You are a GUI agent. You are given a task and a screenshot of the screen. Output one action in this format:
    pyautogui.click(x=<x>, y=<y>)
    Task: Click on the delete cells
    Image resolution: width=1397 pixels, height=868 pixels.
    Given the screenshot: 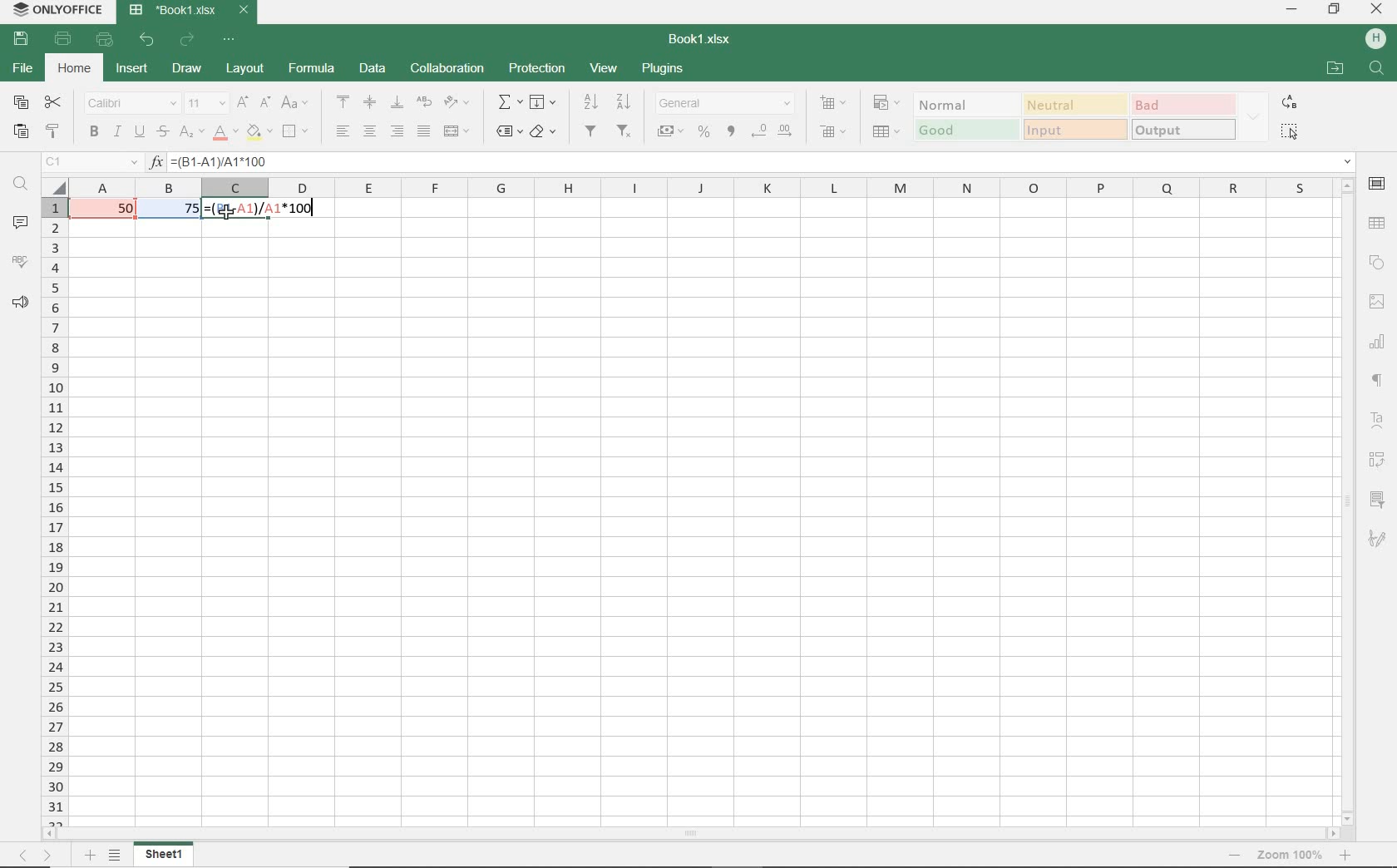 What is the action you would take?
    pyautogui.click(x=831, y=130)
    